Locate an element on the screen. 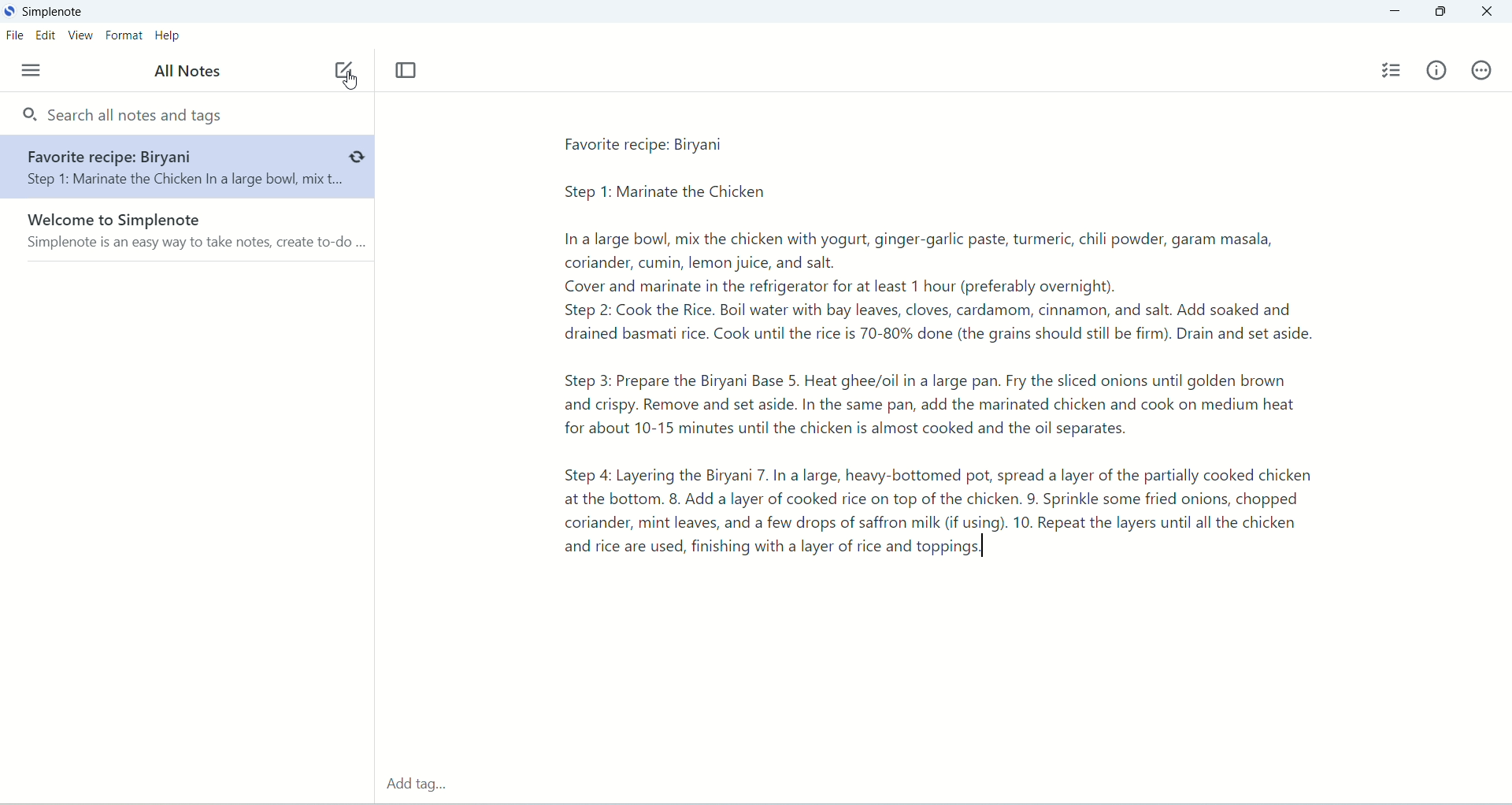 The width and height of the screenshot is (1512, 805). file is located at coordinates (17, 36).